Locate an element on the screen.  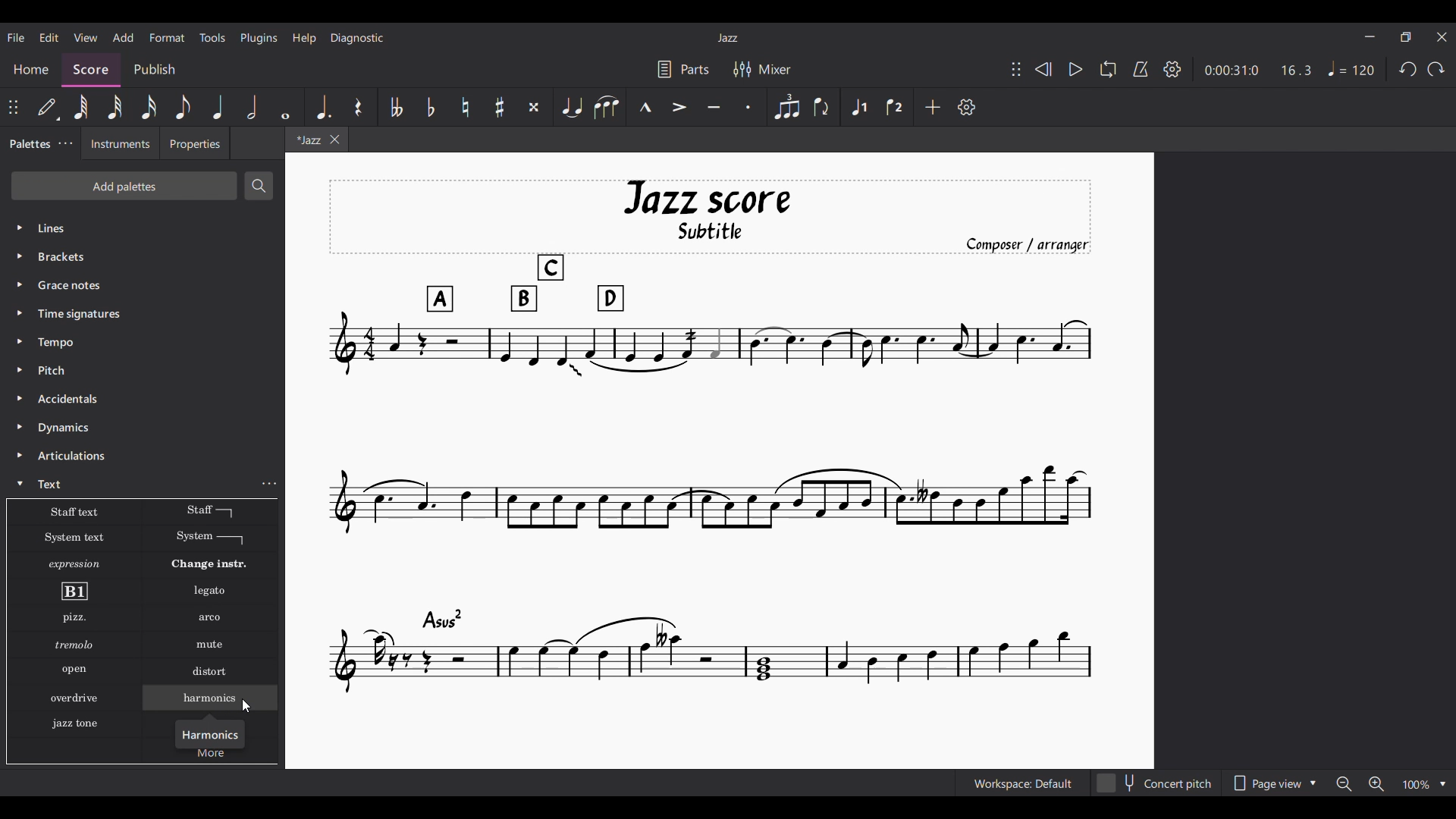
Dynamics is located at coordinates (64, 429).